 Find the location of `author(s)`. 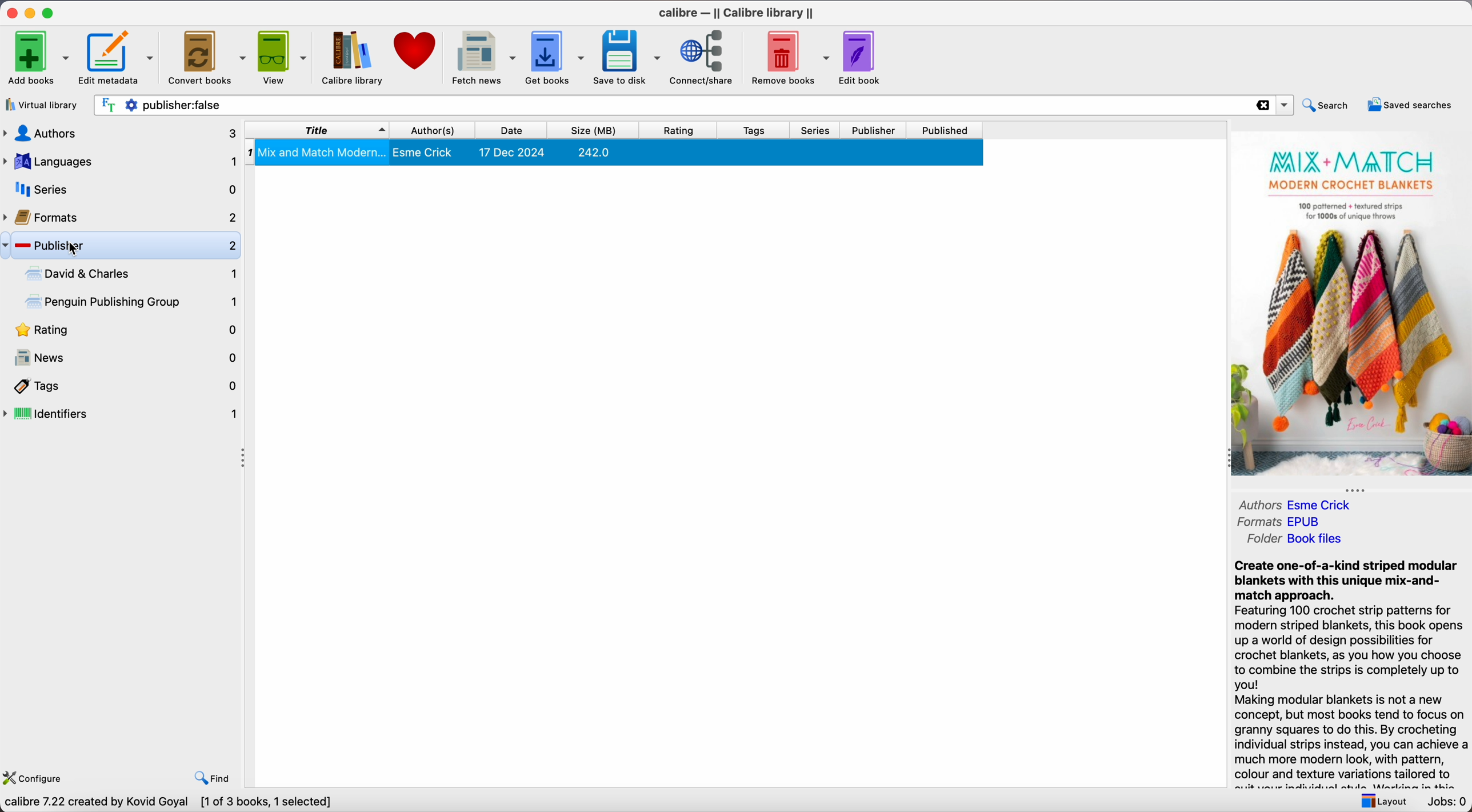

author(s) is located at coordinates (439, 129).